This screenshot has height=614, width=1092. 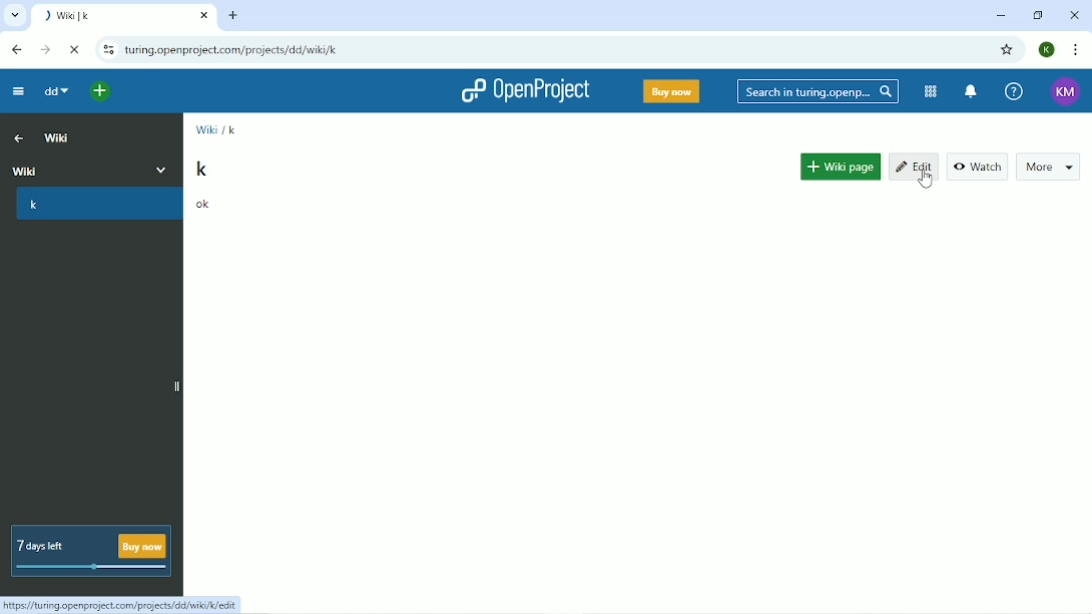 I want to click on Link, so click(x=125, y=603).